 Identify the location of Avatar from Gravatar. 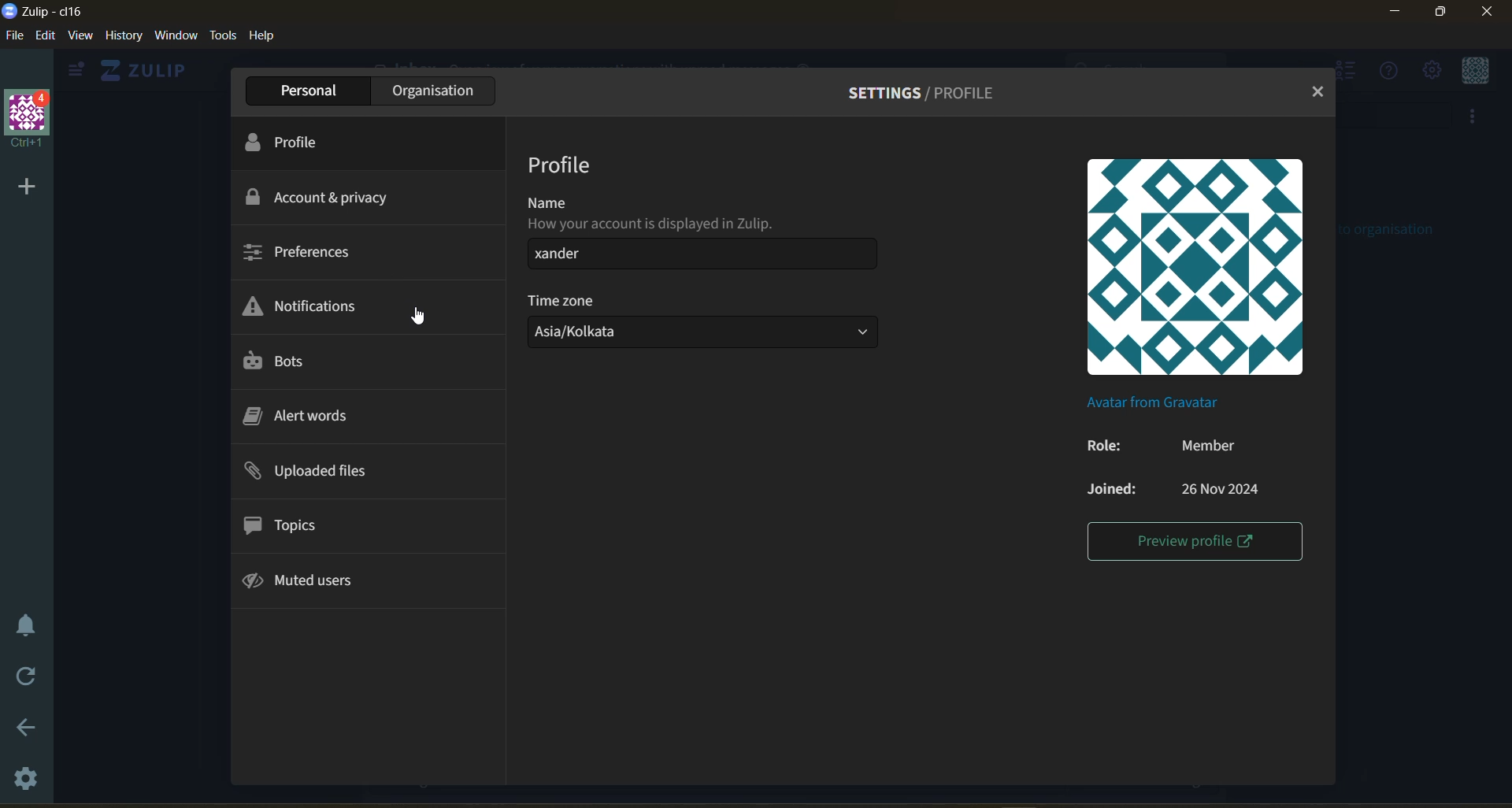
(1145, 402).